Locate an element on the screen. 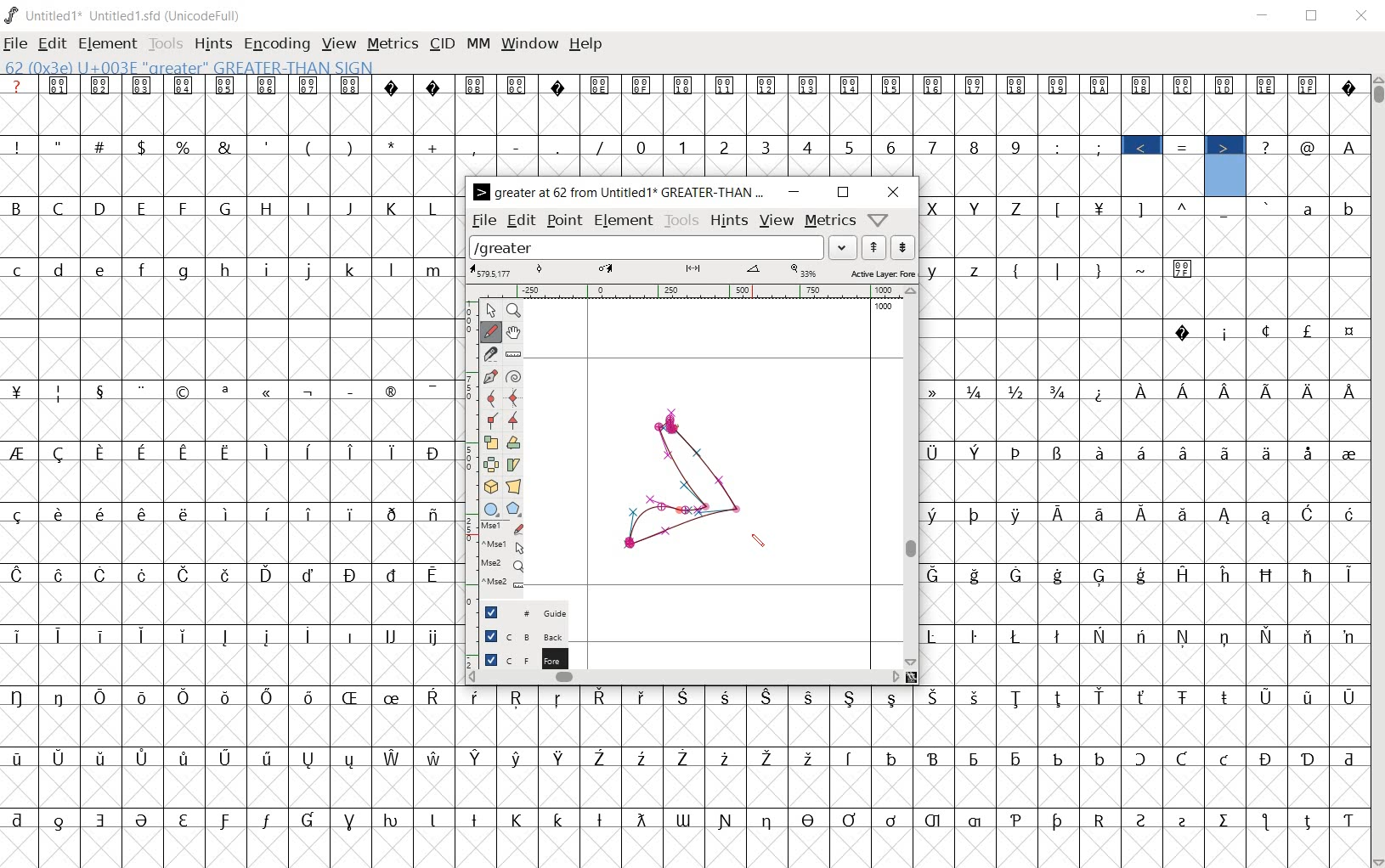 The image size is (1385, 868). mm is located at coordinates (478, 45).